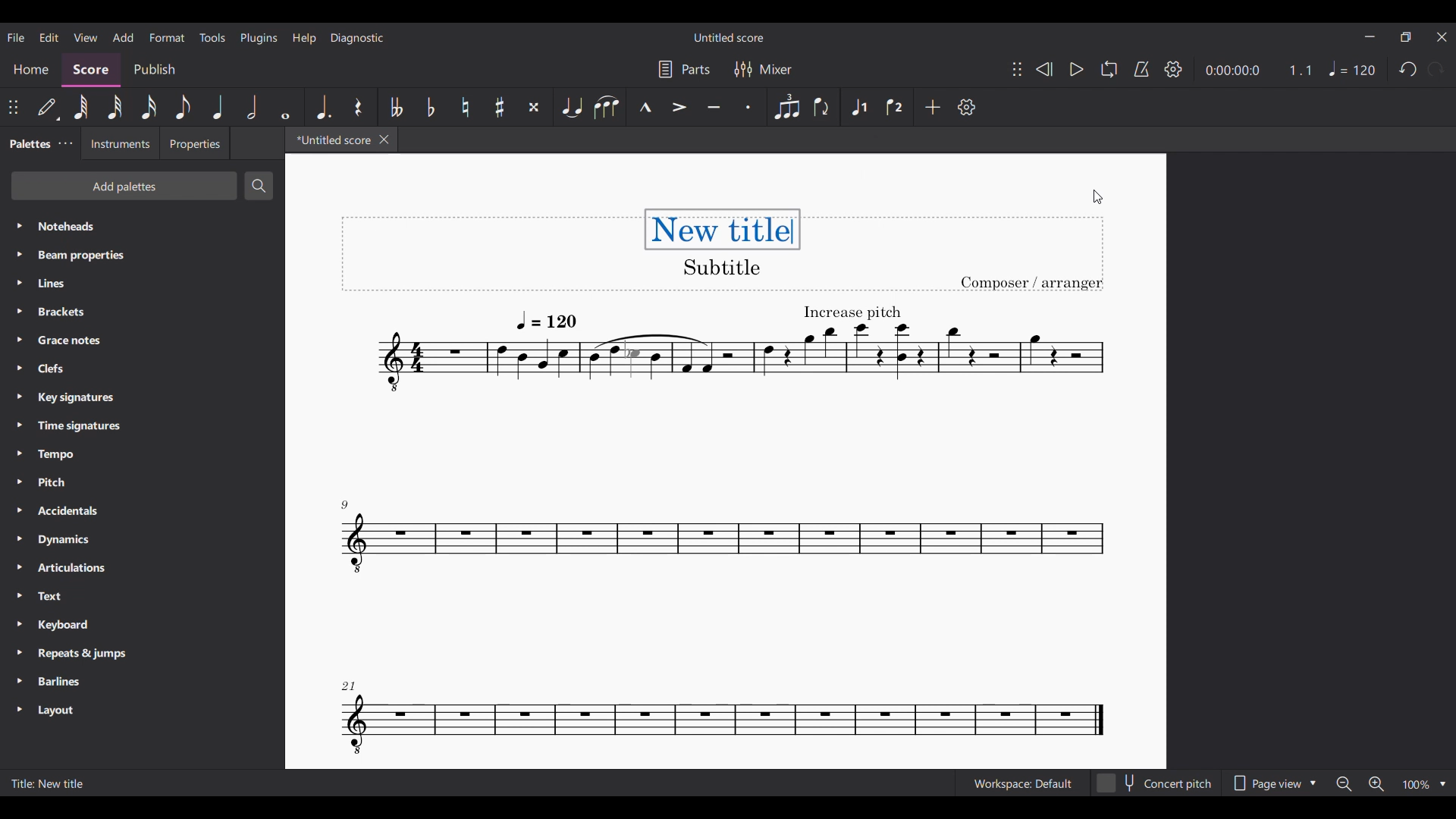 This screenshot has height=819, width=1456. Describe the element at coordinates (142, 711) in the screenshot. I see `Layout` at that location.